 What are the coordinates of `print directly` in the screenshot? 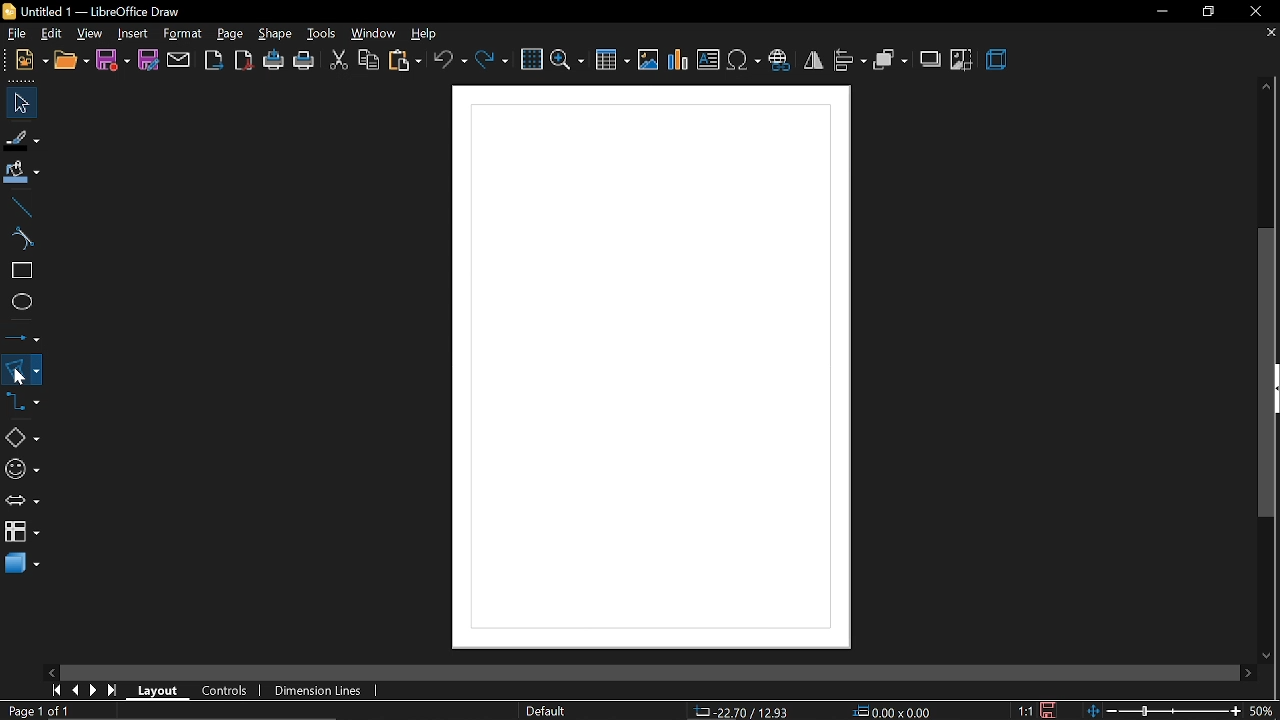 It's located at (275, 61).